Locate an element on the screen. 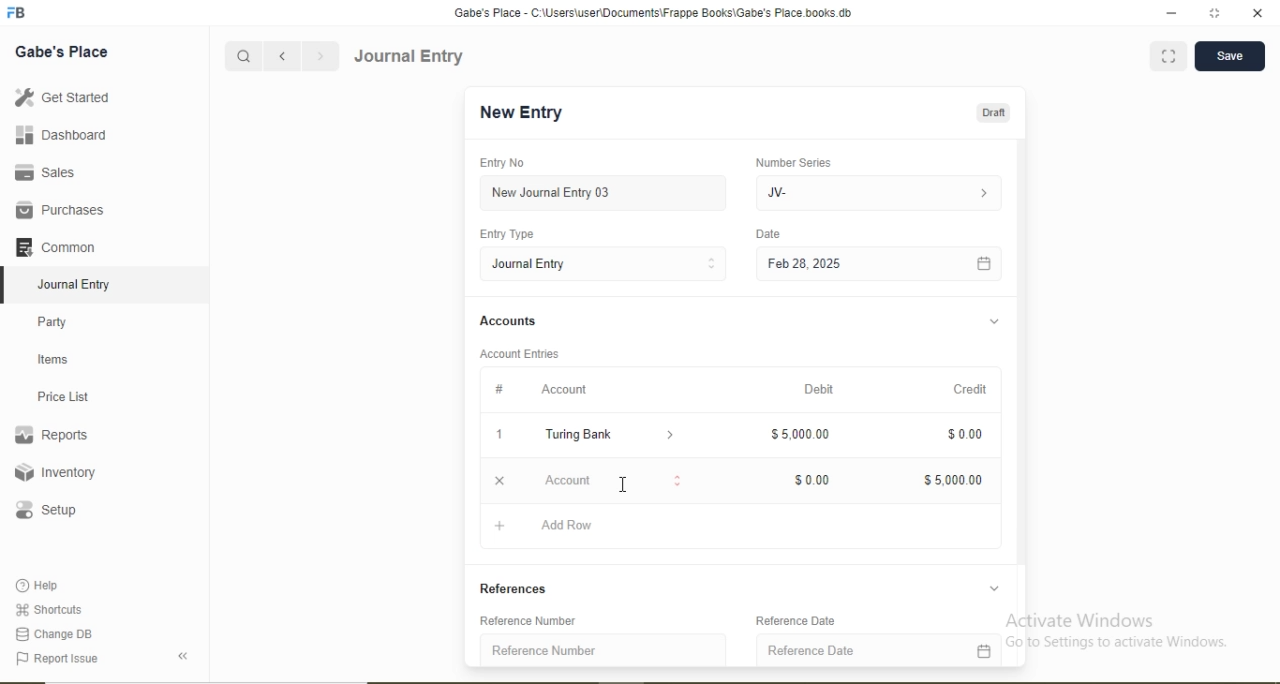  $0.00 is located at coordinates (813, 481).